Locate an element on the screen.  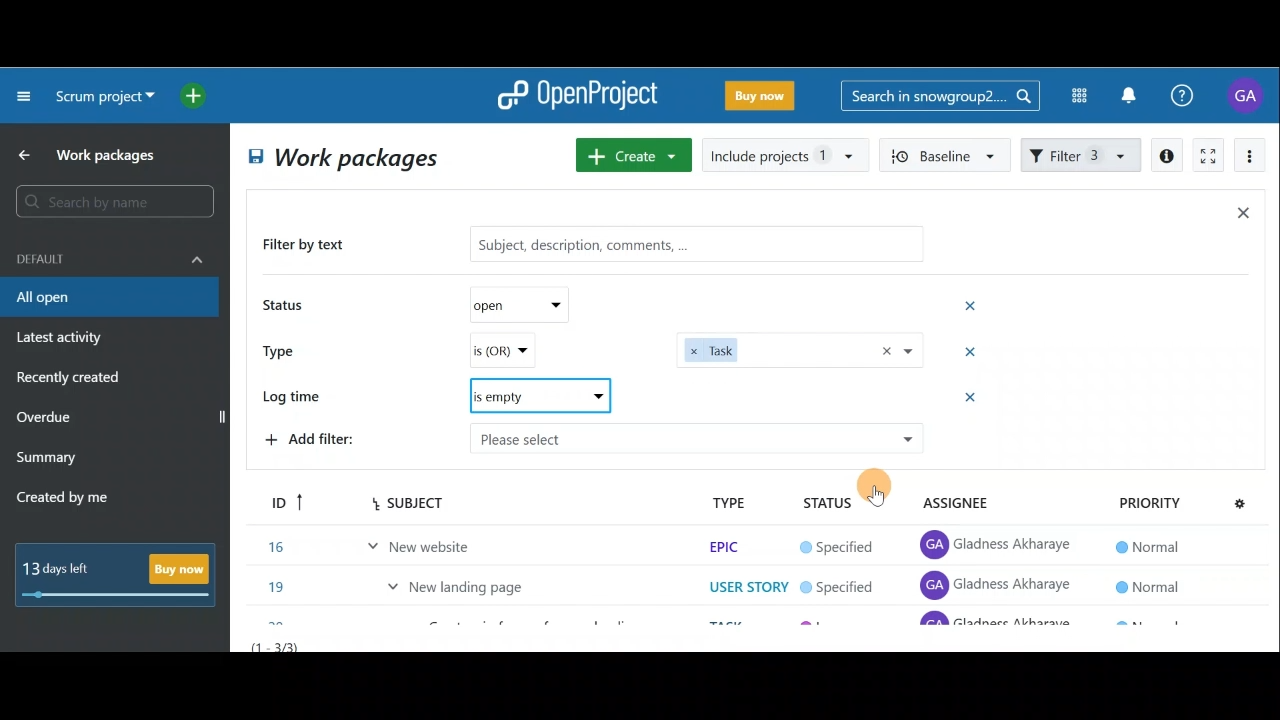
Type is located at coordinates (286, 349).